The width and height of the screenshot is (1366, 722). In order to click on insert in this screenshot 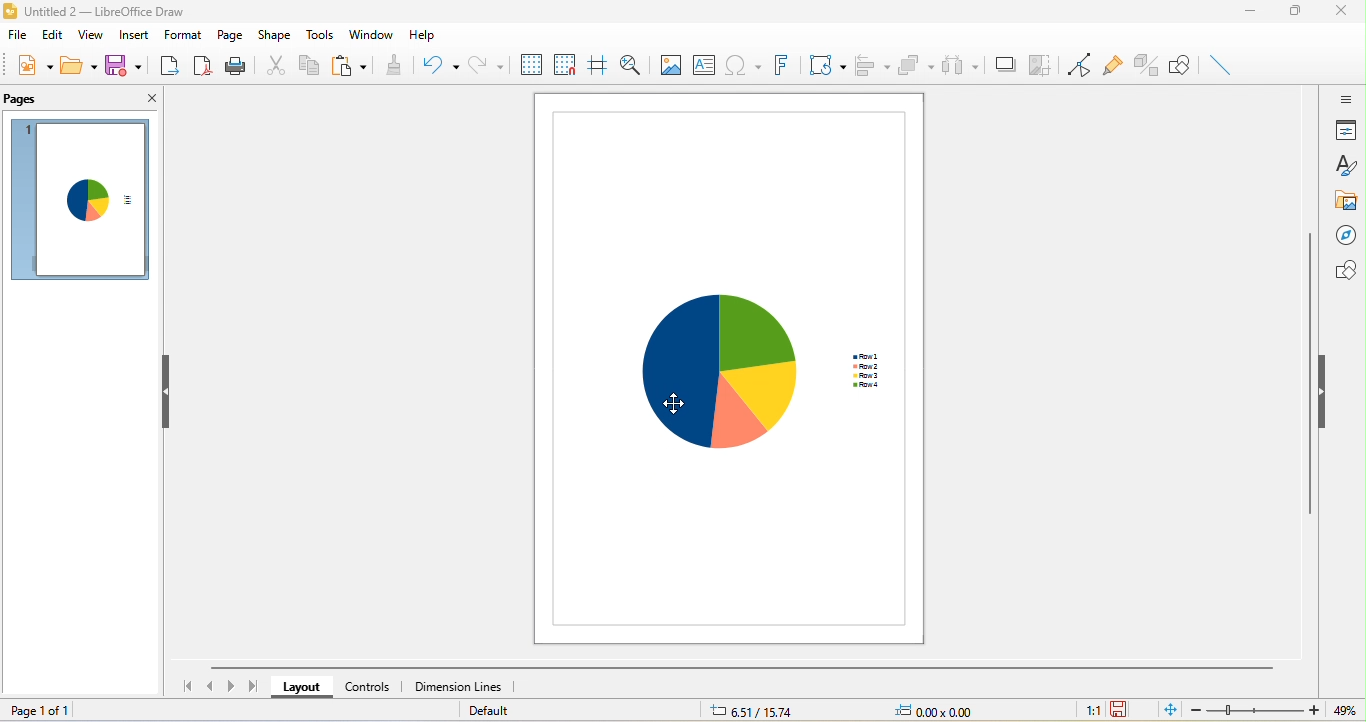, I will do `click(133, 35)`.